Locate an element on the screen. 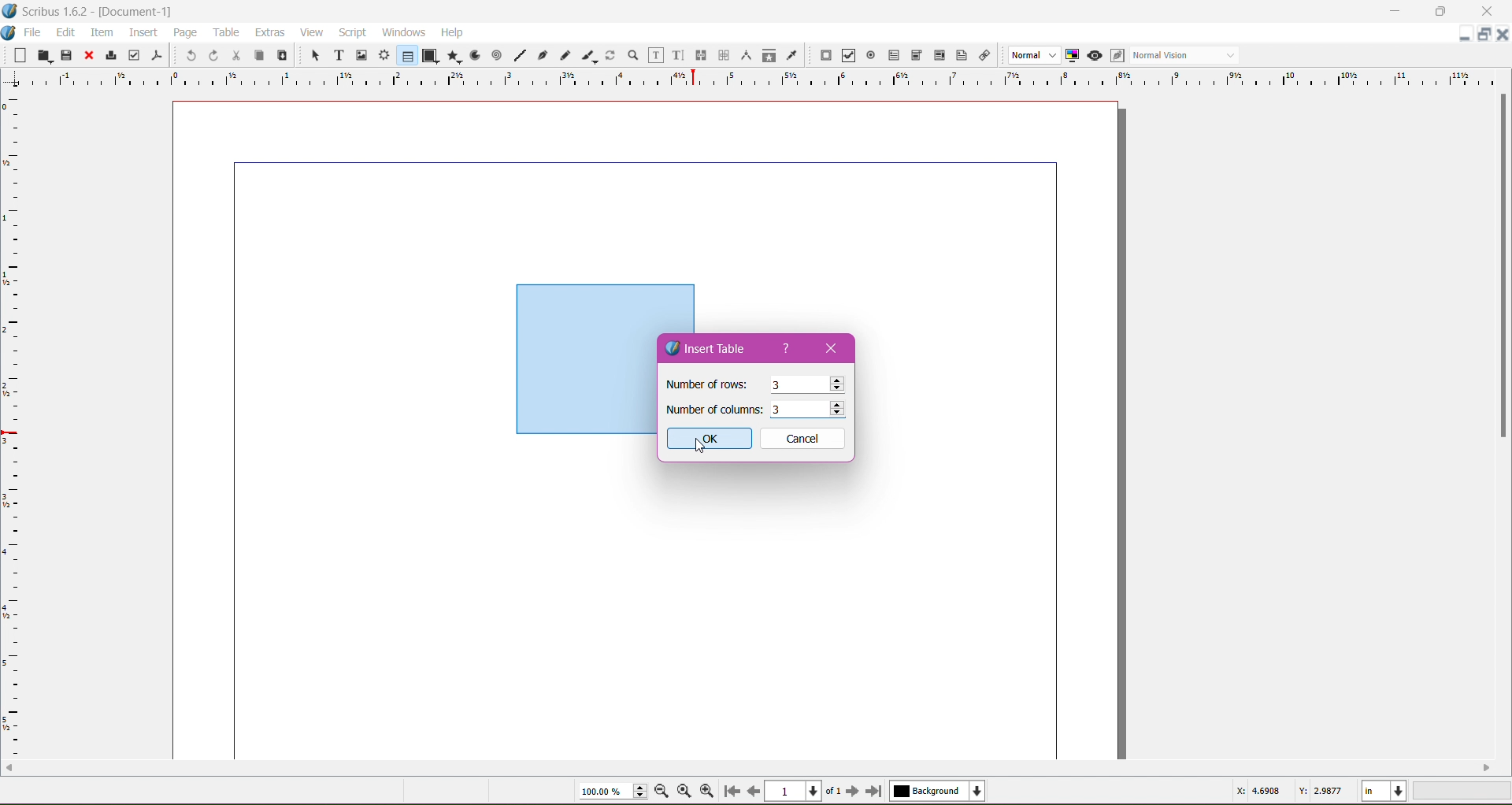  Cursor is located at coordinates (840, 411).